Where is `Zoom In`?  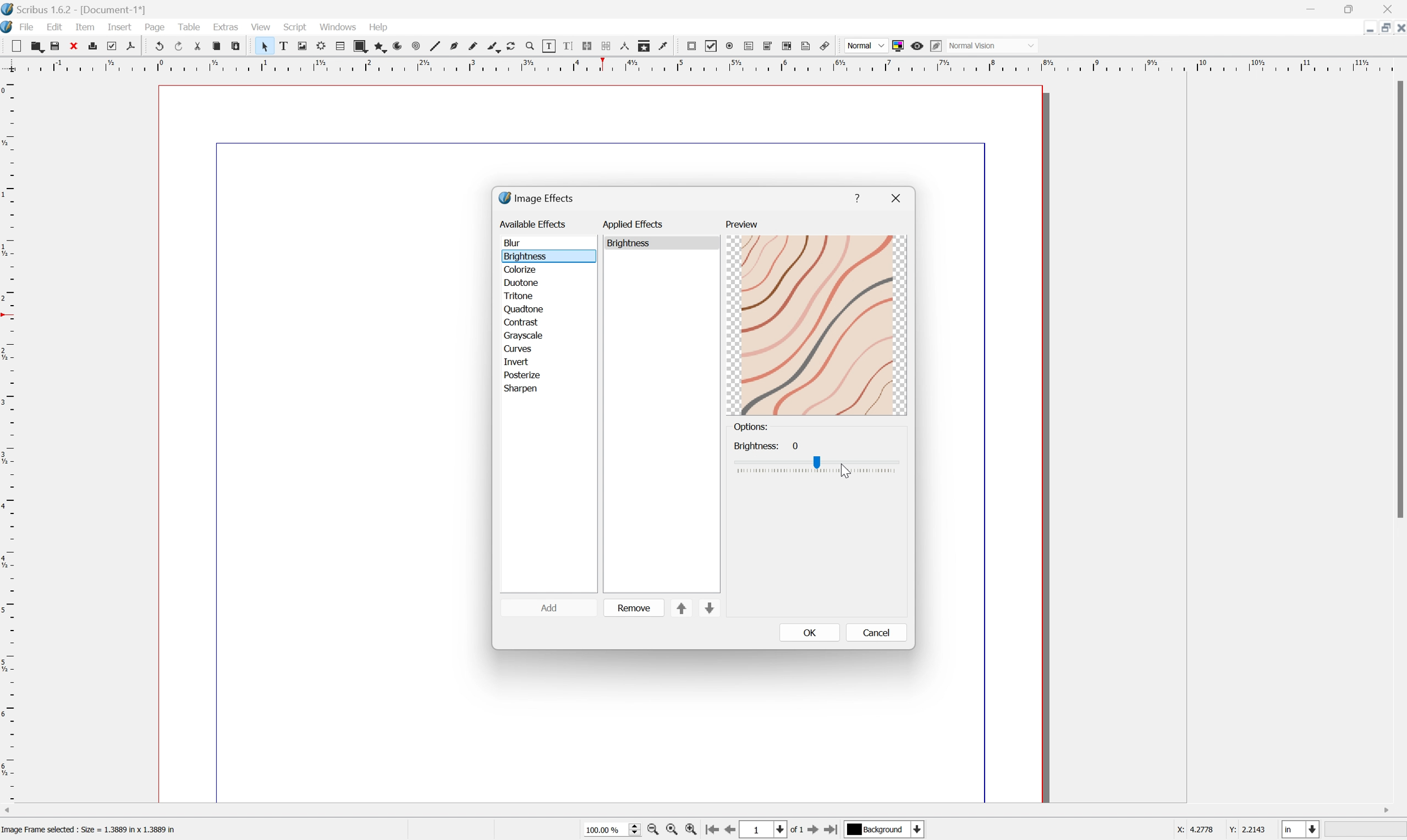 Zoom In is located at coordinates (693, 832).